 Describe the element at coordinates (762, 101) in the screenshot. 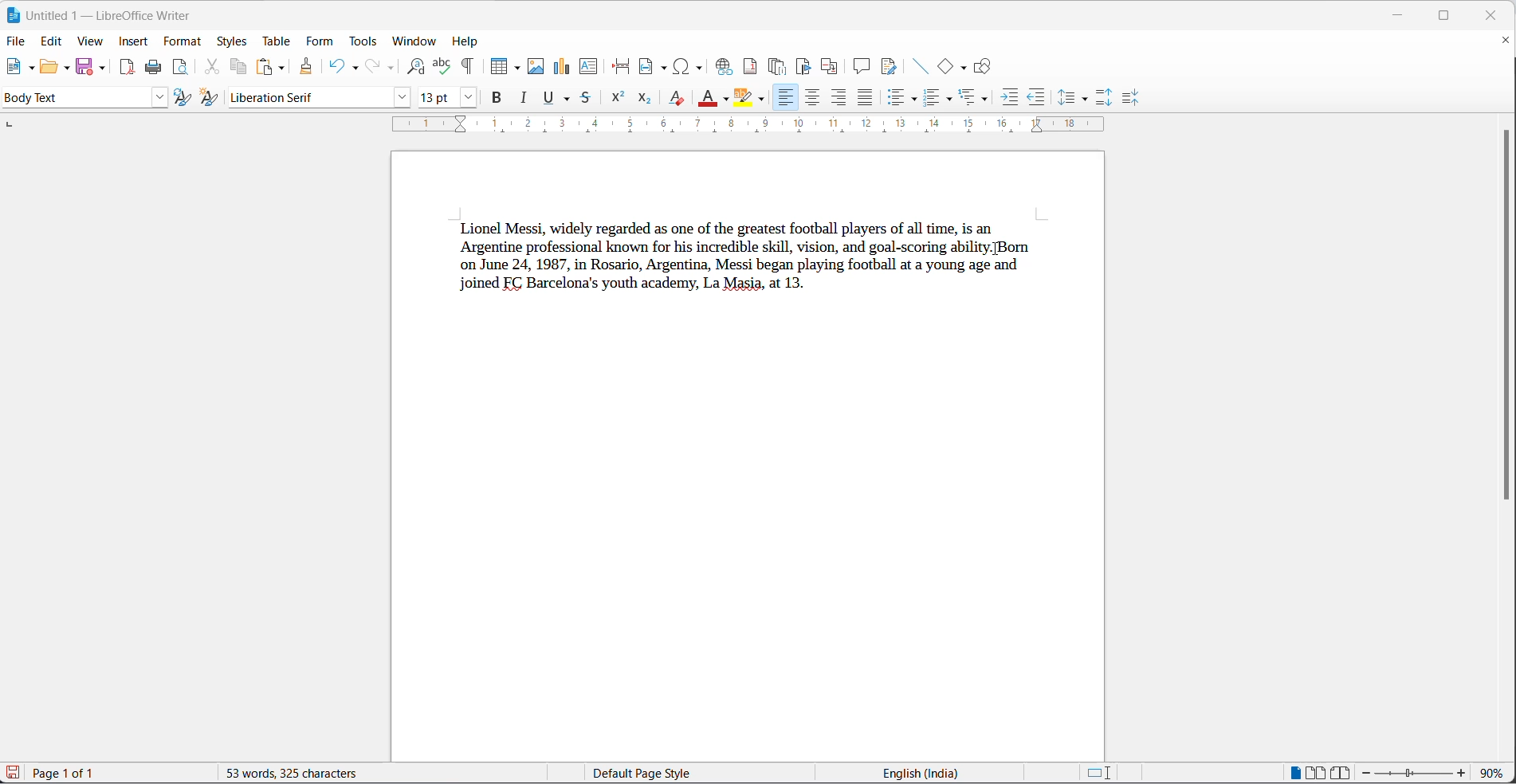

I see `character highlighting` at that location.